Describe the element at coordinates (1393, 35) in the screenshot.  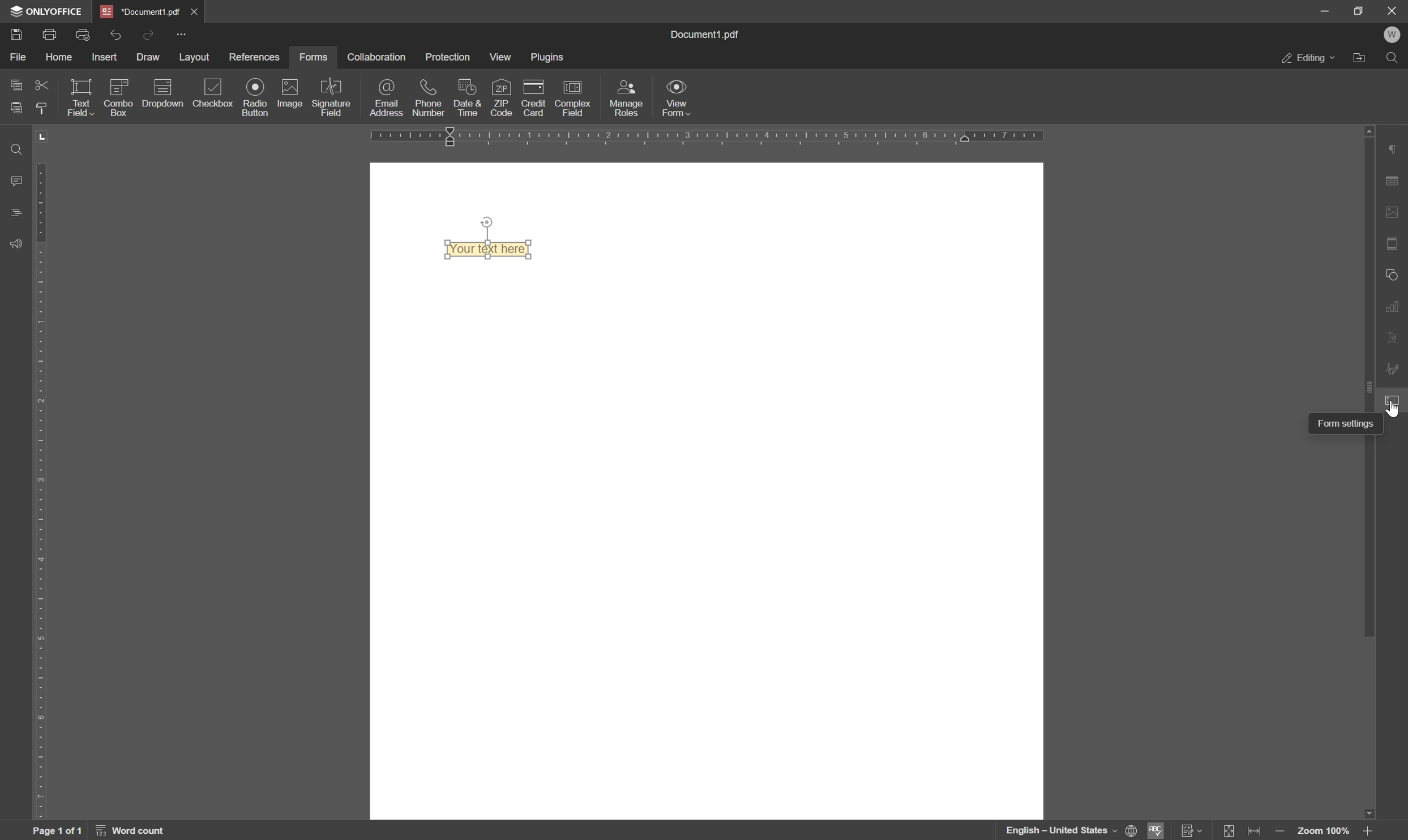
I see `welcome` at that location.